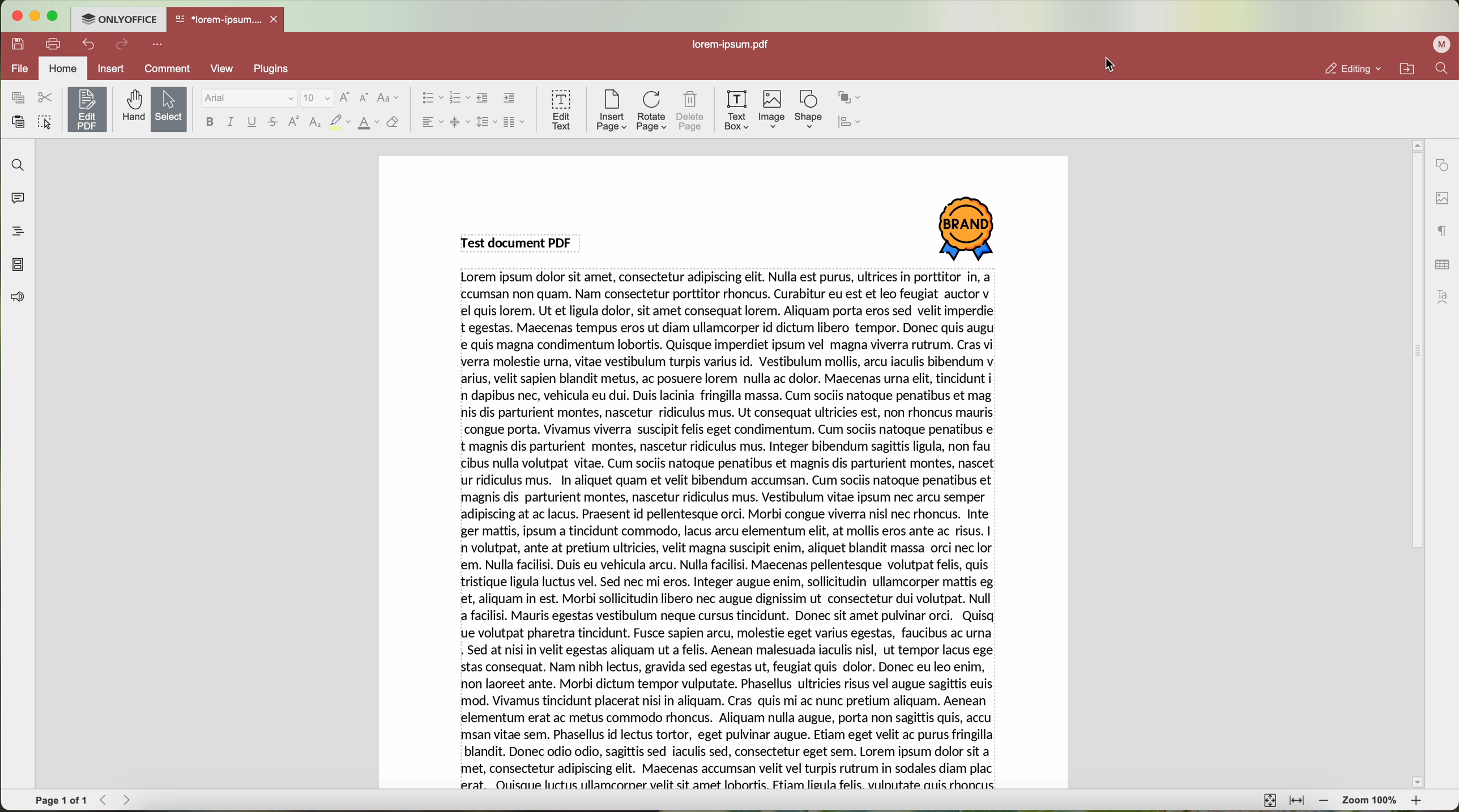 The height and width of the screenshot is (812, 1459). I want to click on headings, so click(14, 231).